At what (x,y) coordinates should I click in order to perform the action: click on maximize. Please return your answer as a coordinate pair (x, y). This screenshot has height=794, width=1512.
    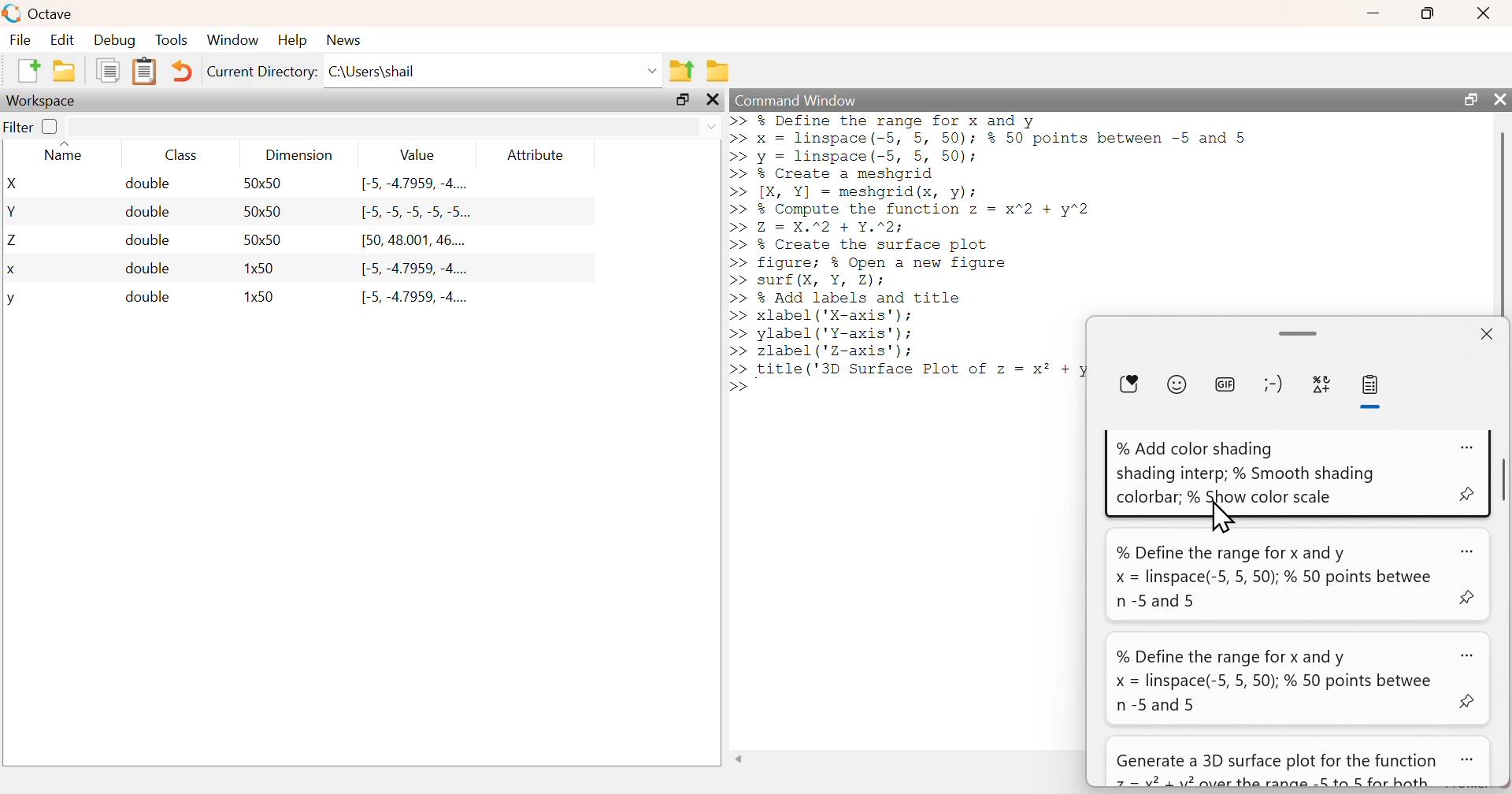
    Looking at the image, I should click on (1469, 98).